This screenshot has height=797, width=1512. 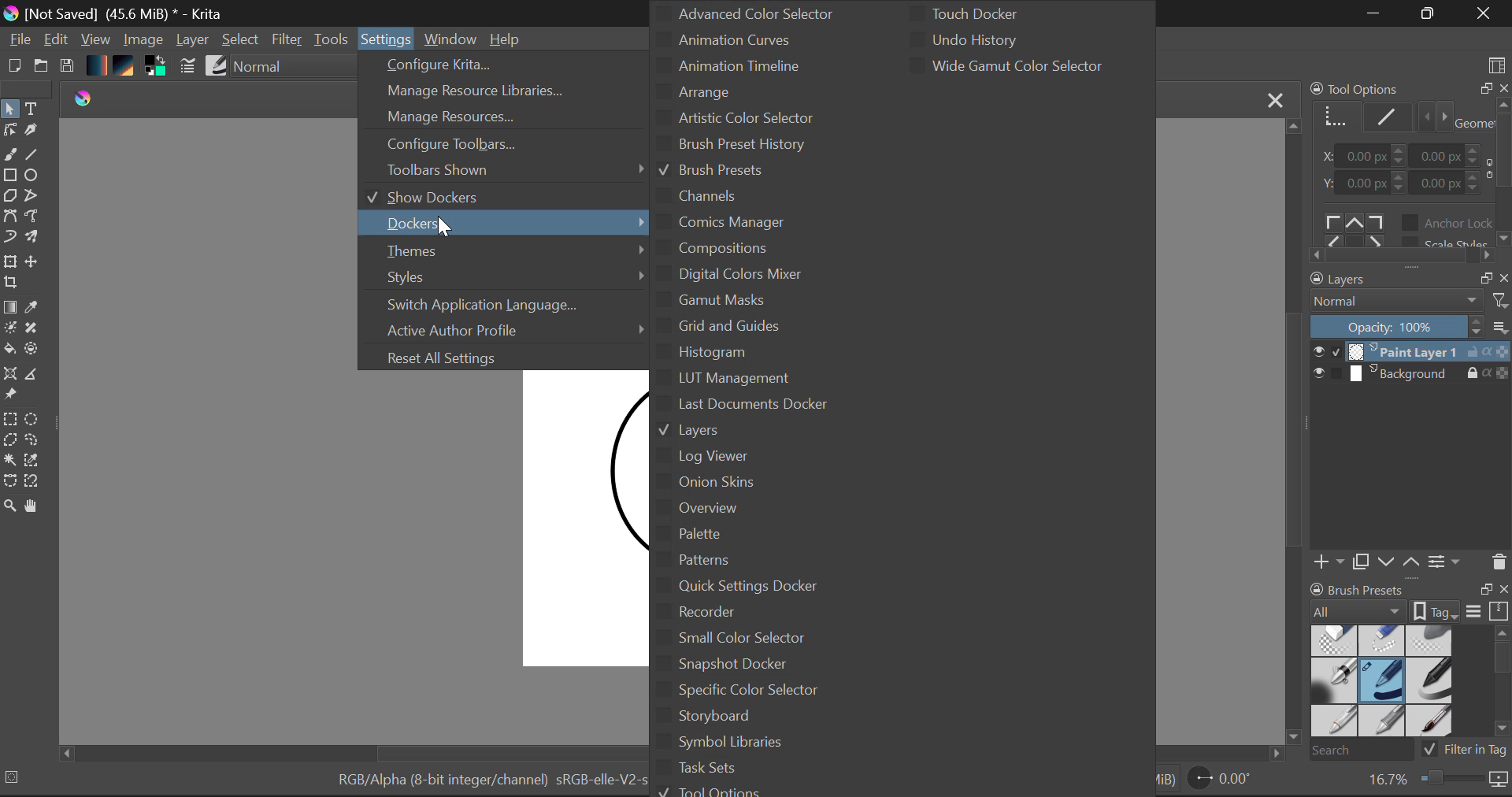 I want to click on Compositions, so click(x=792, y=249).